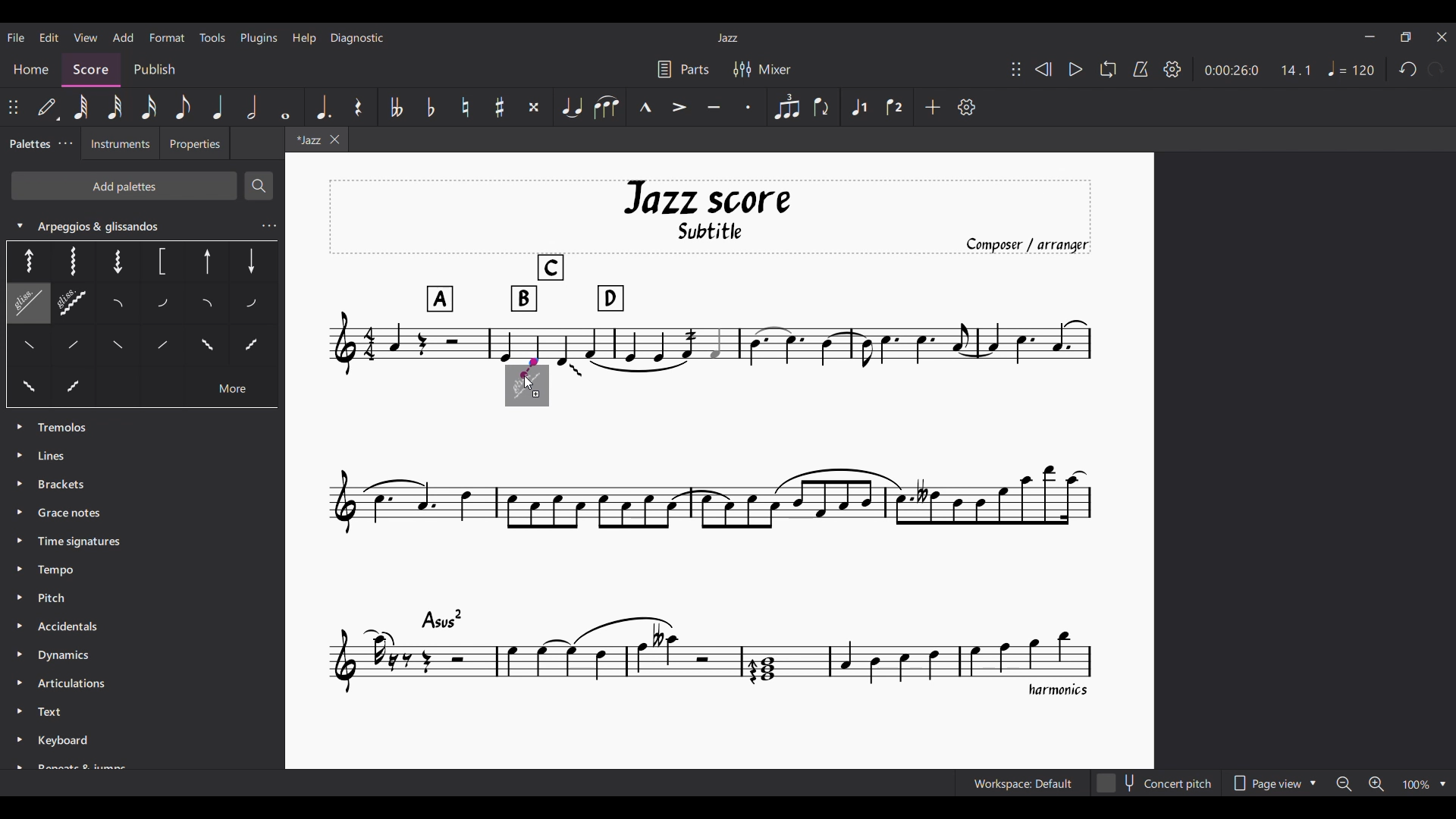 The width and height of the screenshot is (1456, 819). I want to click on Toggle flat, so click(431, 107).